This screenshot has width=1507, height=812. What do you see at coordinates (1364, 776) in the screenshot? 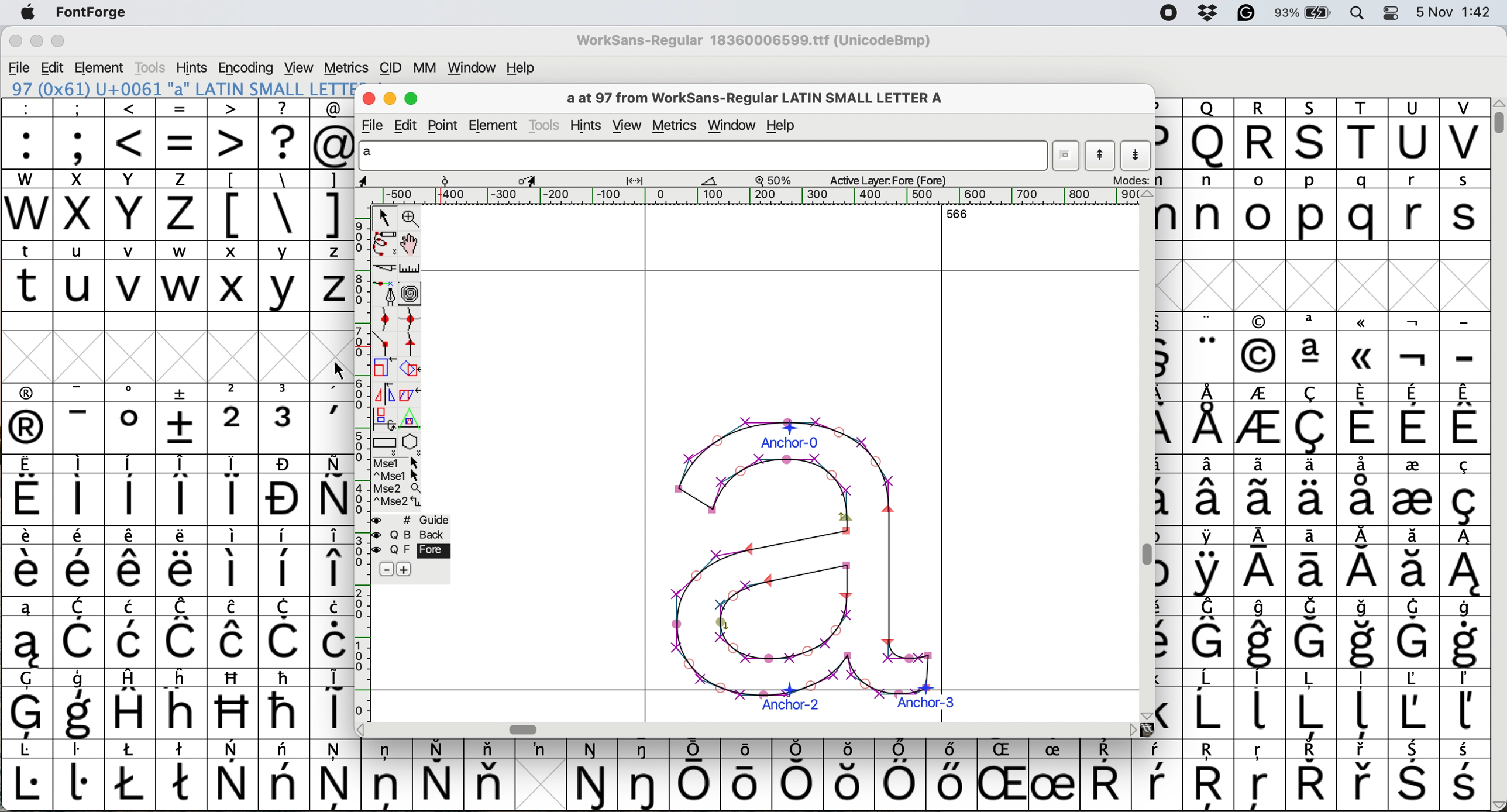
I see `symbol` at bounding box center [1364, 776].